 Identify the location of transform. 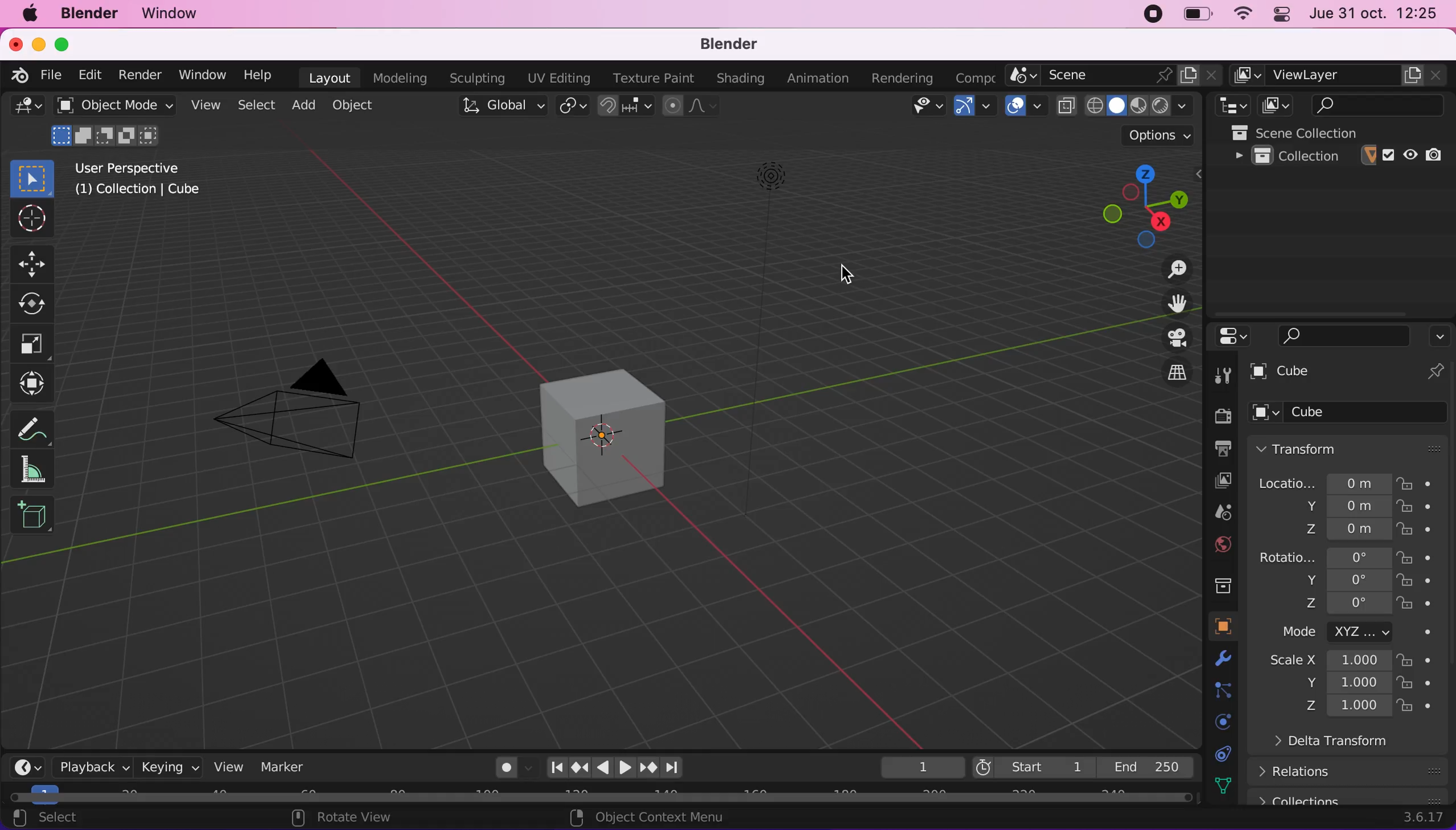
(35, 384).